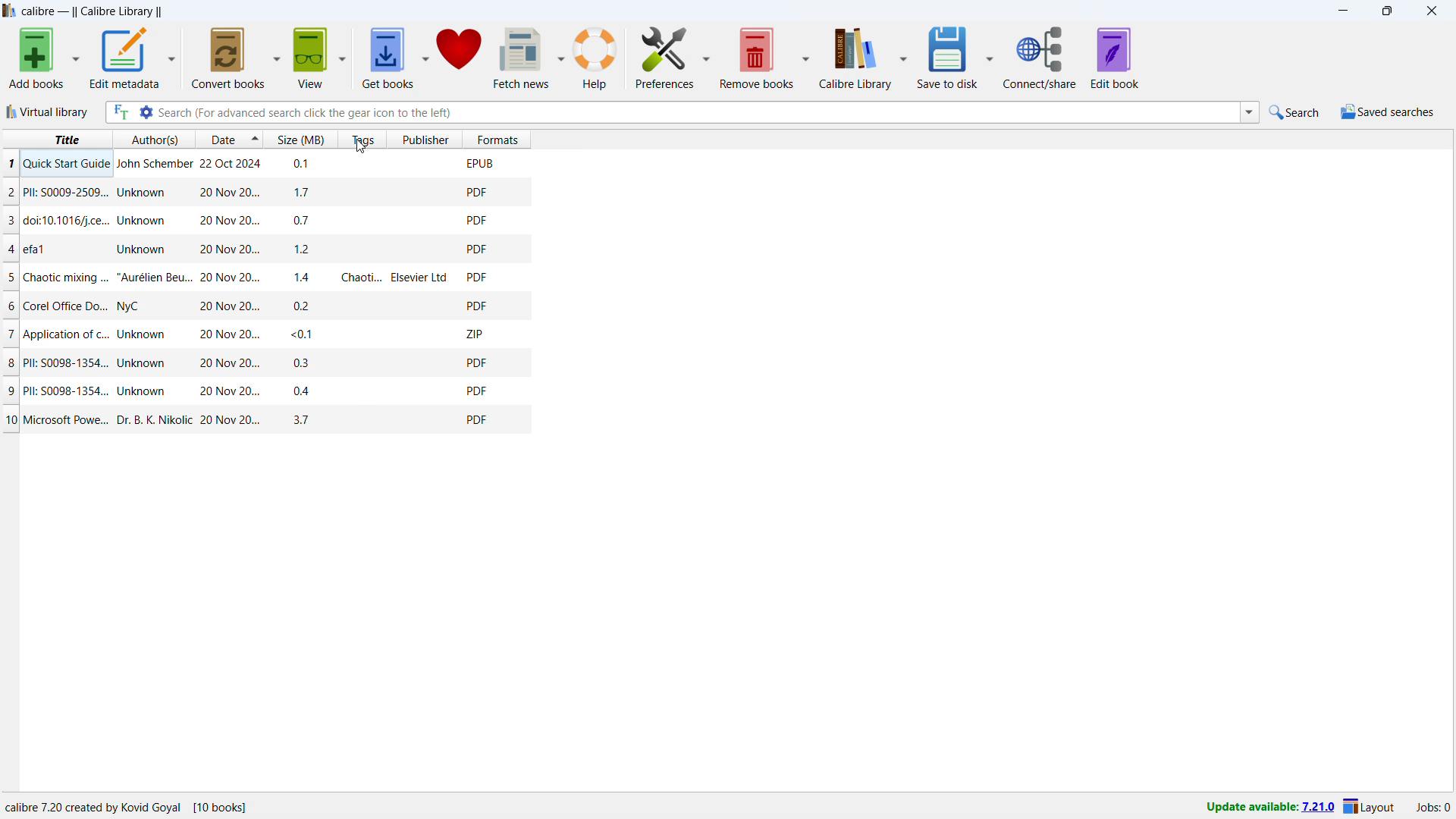 This screenshot has width=1456, height=819. I want to click on connect/share, so click(1040, 58).